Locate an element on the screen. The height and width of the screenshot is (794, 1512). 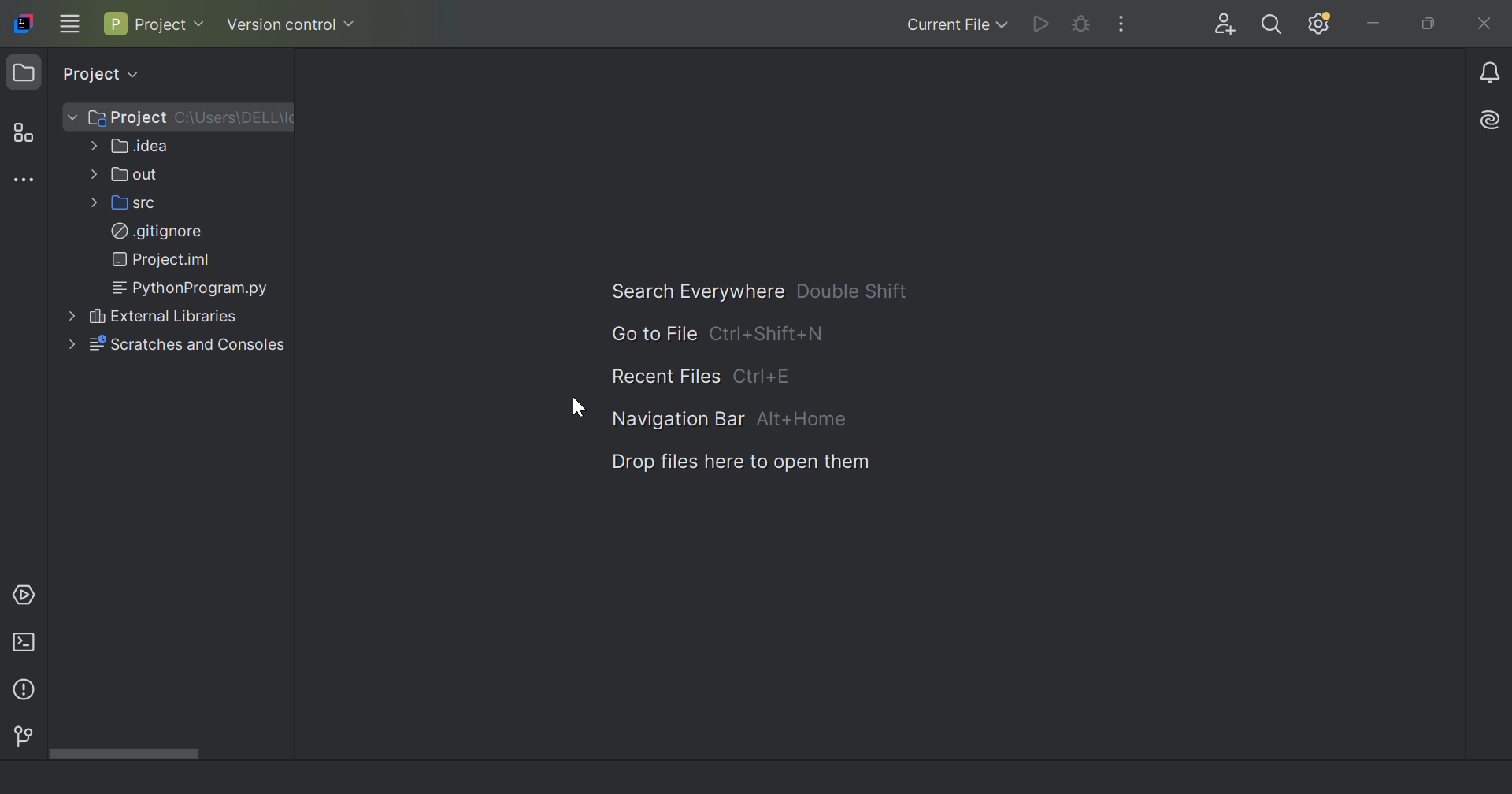
More tool windows is located at coordinates (28, 180).